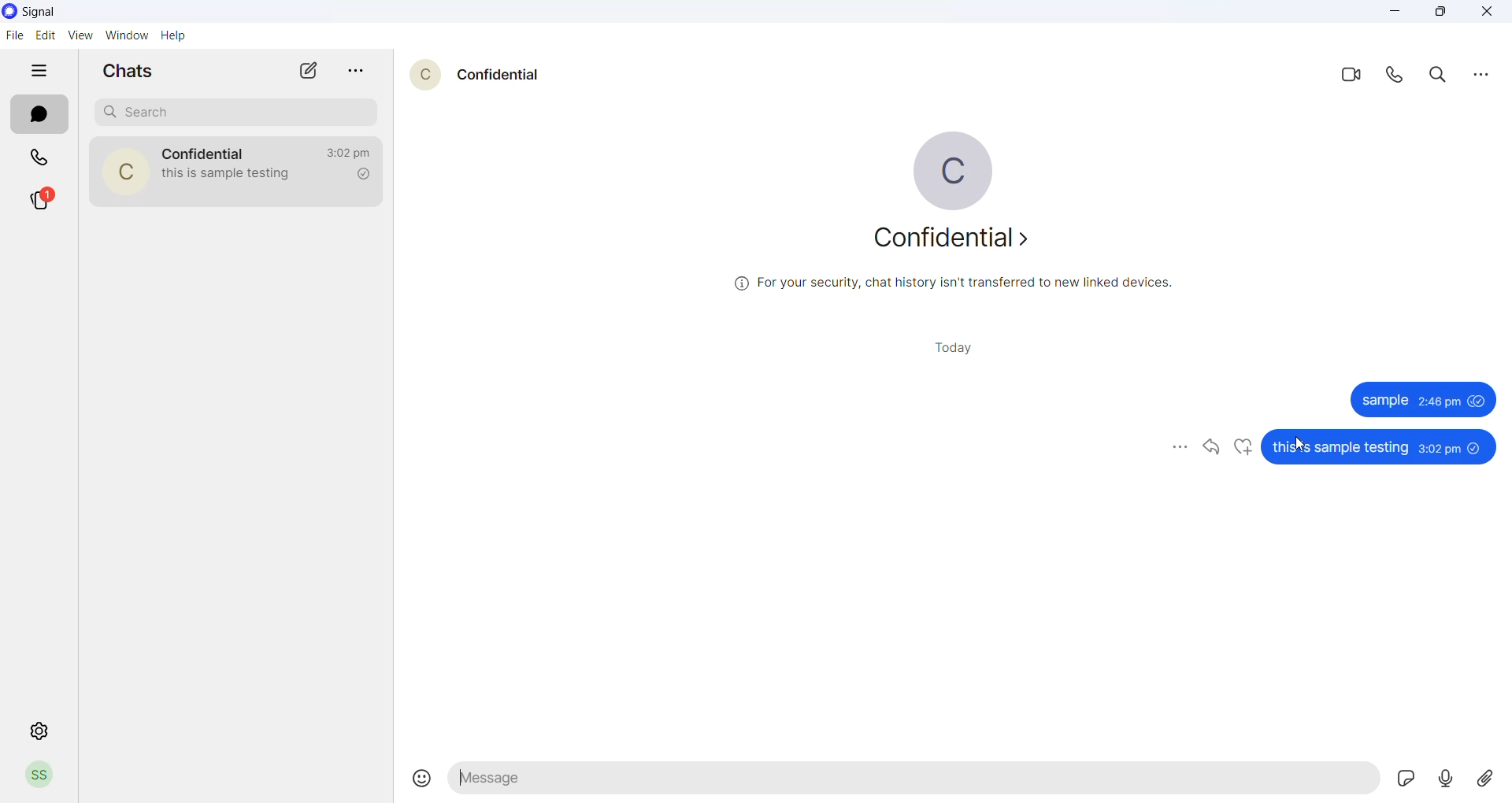 The image size is (1512, 803). Describe the element at coordinates (421, 75) in the screenshot. I see `profile picture` at that location.